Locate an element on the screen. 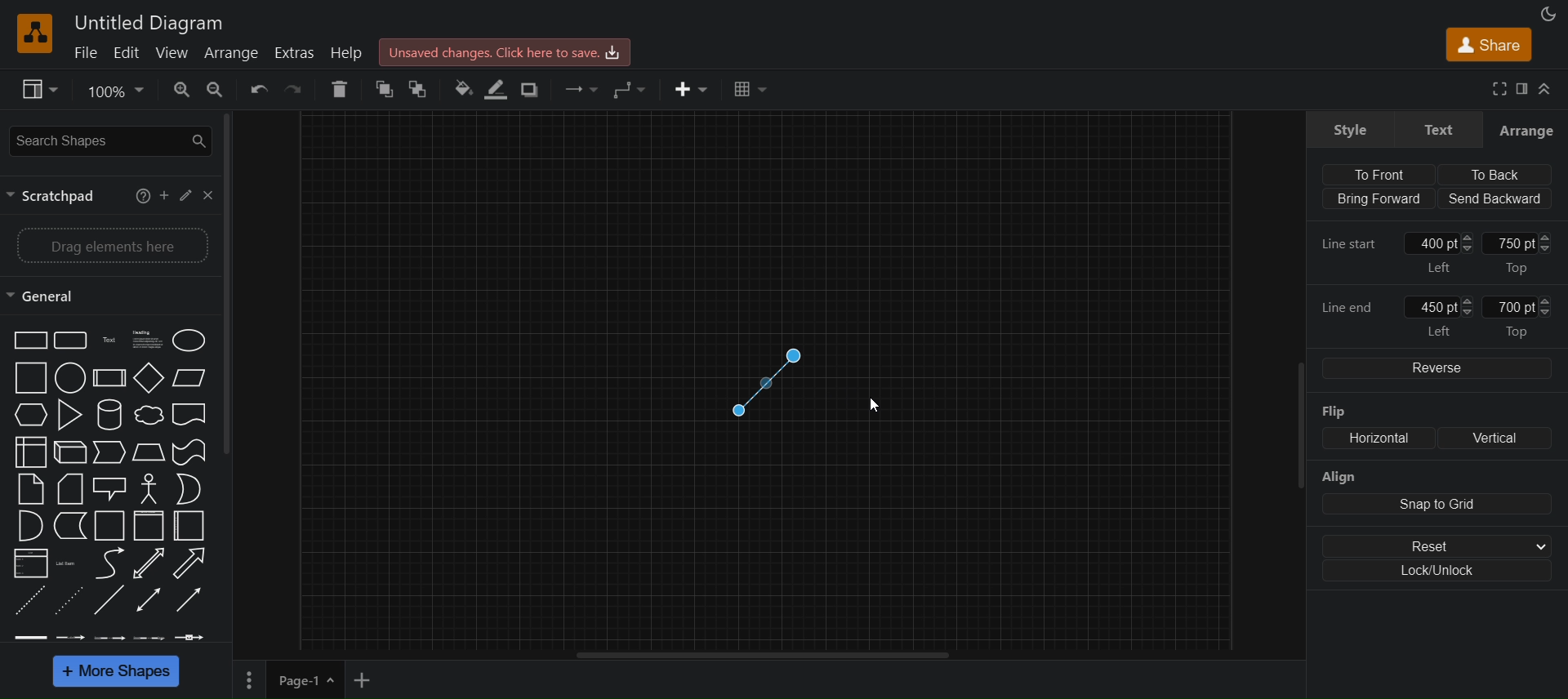 Image resolution: width=1568 pixels, height=699 pixels. insert page is located at coordinates (365, 681).